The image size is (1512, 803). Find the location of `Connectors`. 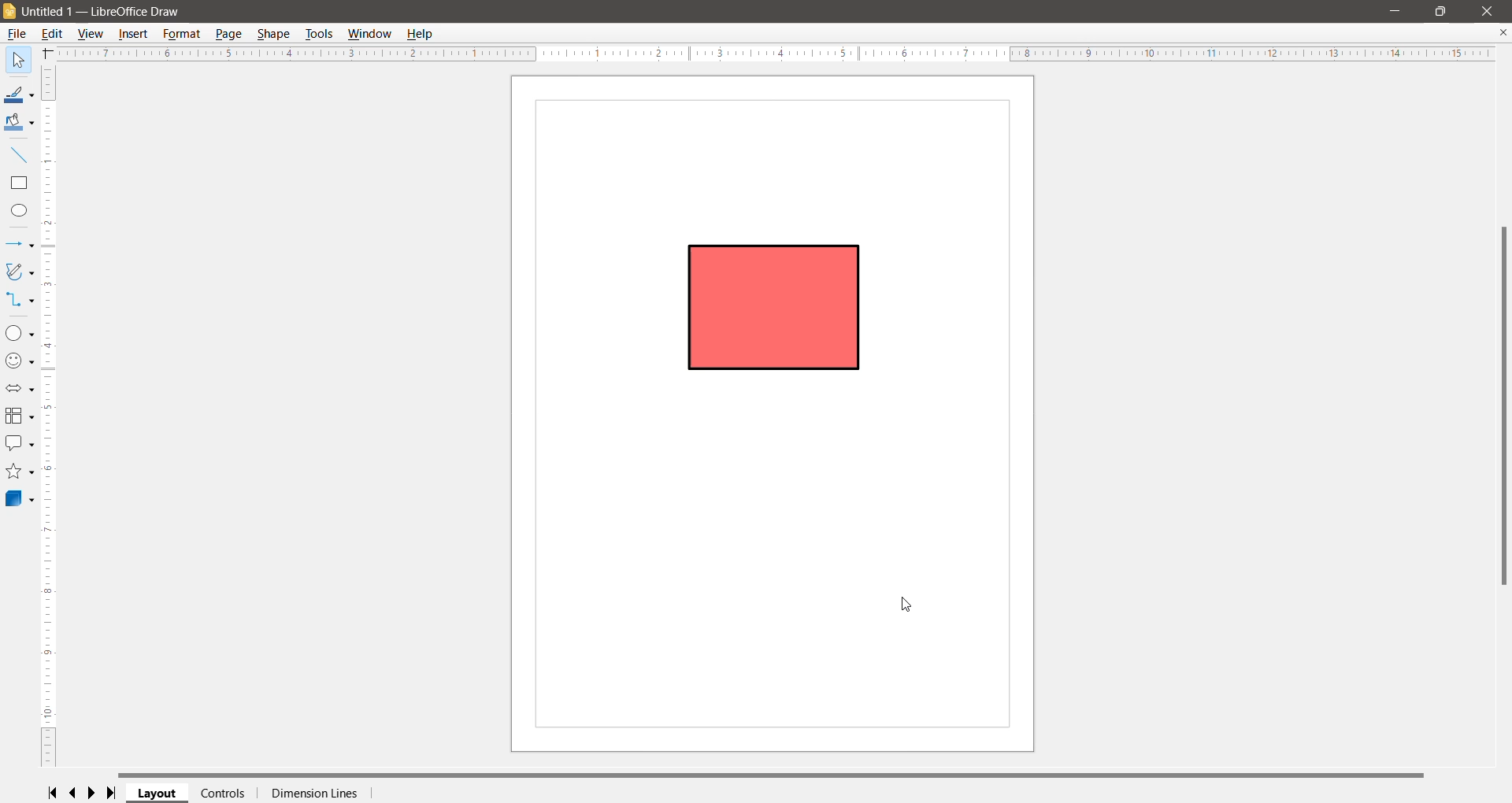

Connectors is located at coordinates (20, 301).